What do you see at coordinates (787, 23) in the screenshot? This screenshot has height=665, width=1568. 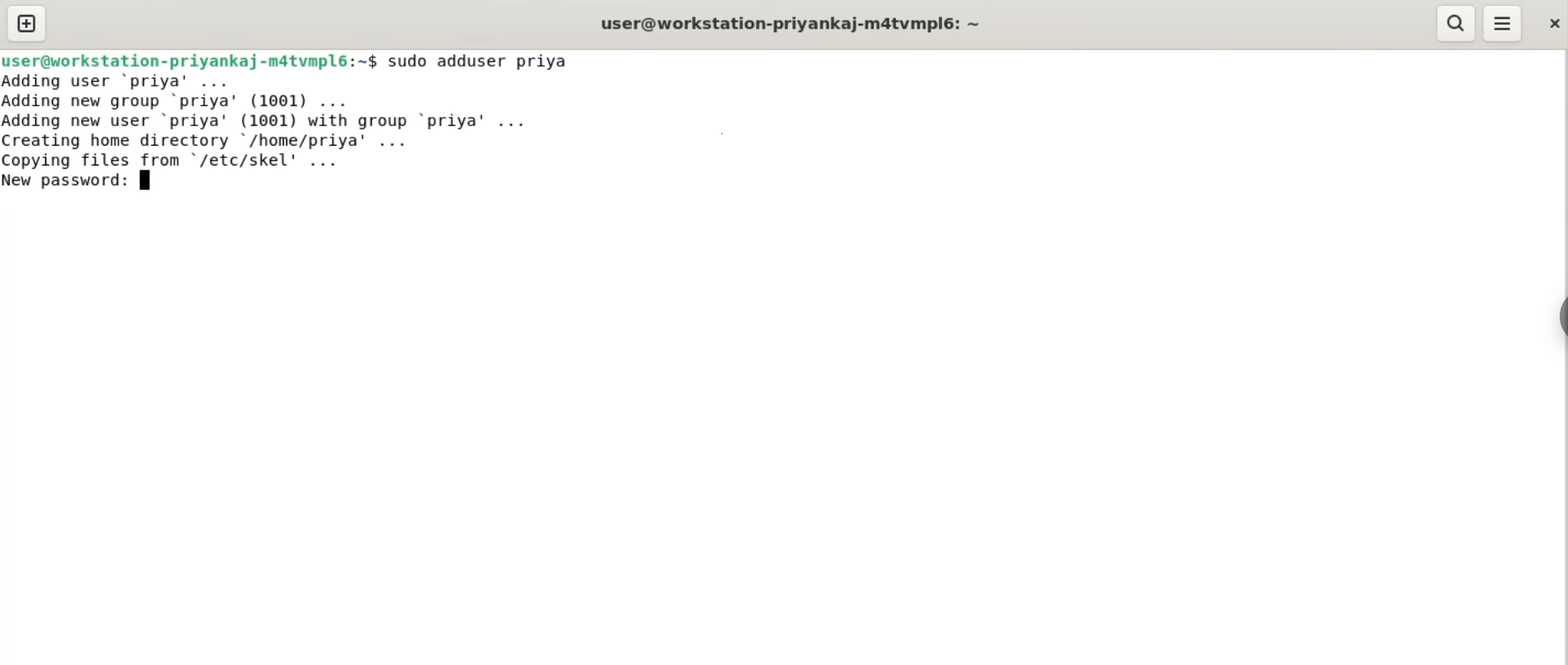 I see `user@workstation-priyankaj-m4tvmpl6:~` at bounding box center [787, 23].